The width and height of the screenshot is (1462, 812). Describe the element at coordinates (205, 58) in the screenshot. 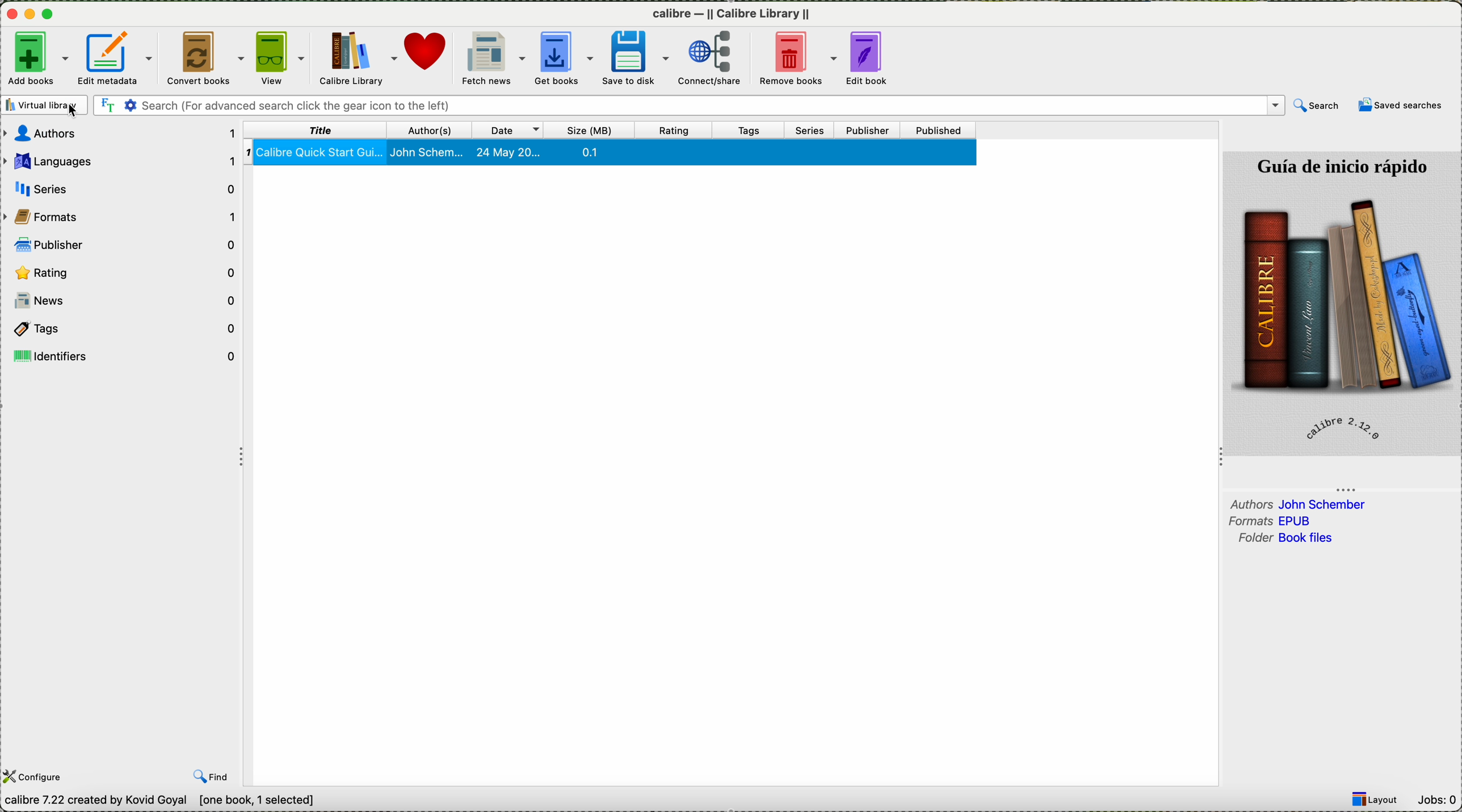

I see `convert books` at that location.